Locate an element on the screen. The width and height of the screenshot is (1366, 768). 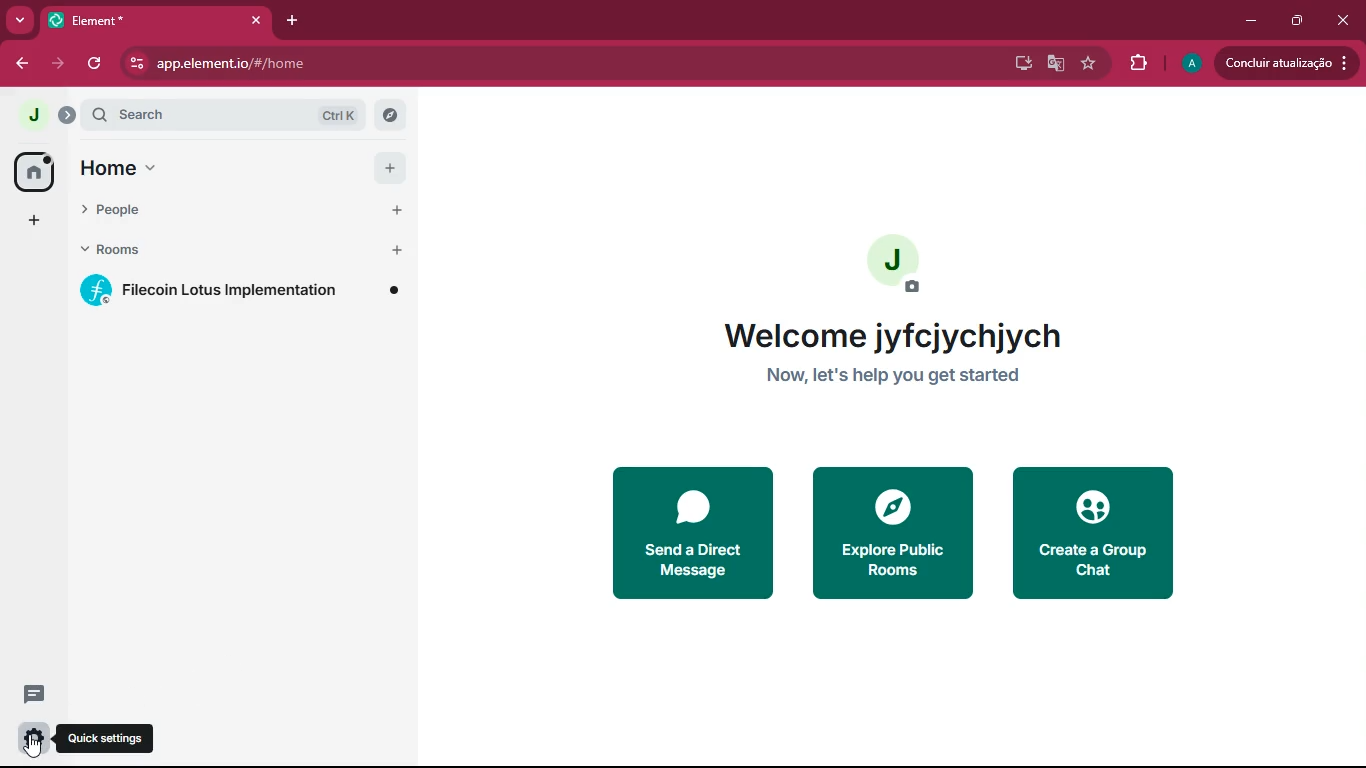
profile picture is located at coordinates (29, 114).